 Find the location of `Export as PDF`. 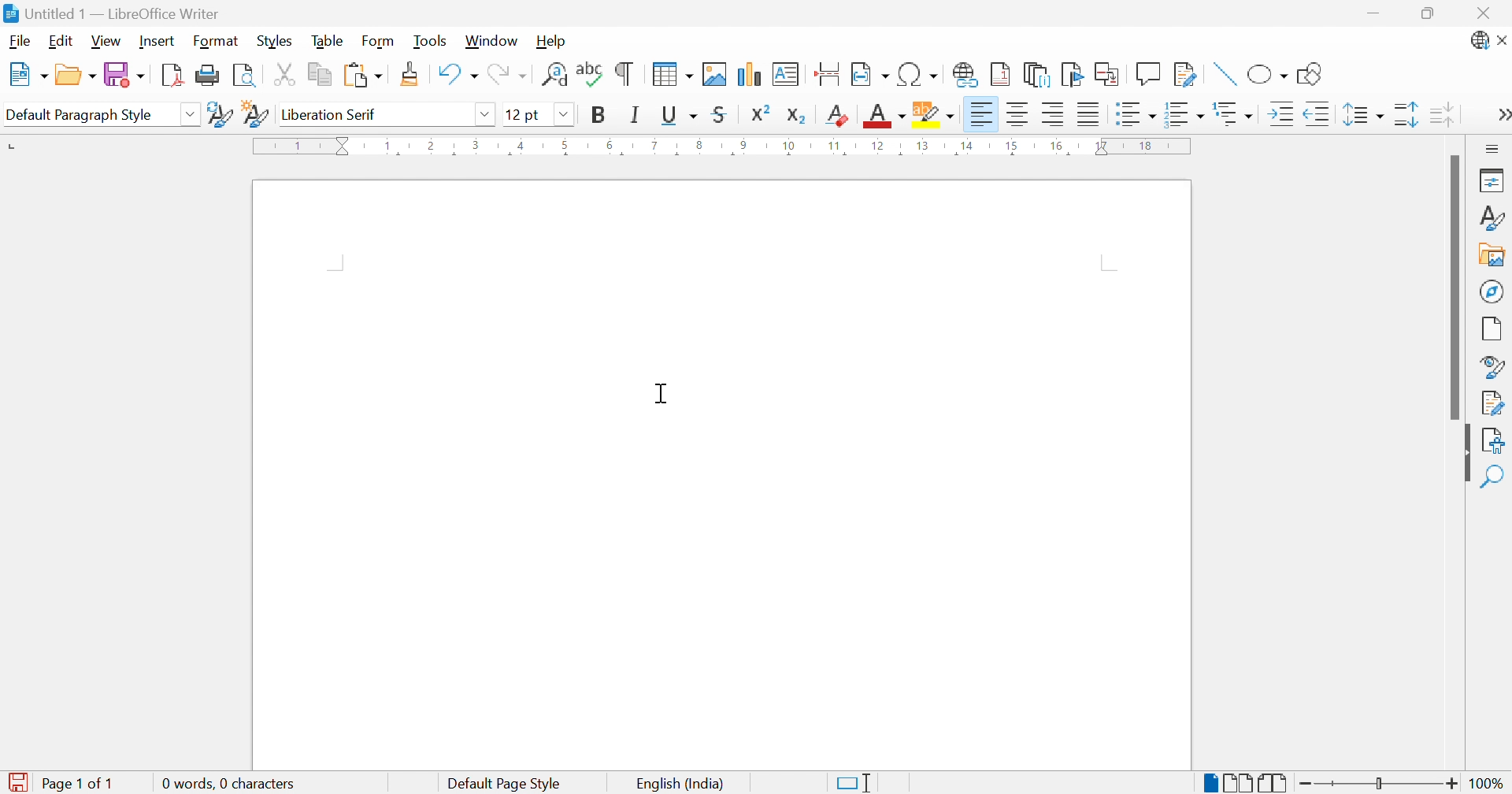

Export as PDF is located at coordinates (171, 74).